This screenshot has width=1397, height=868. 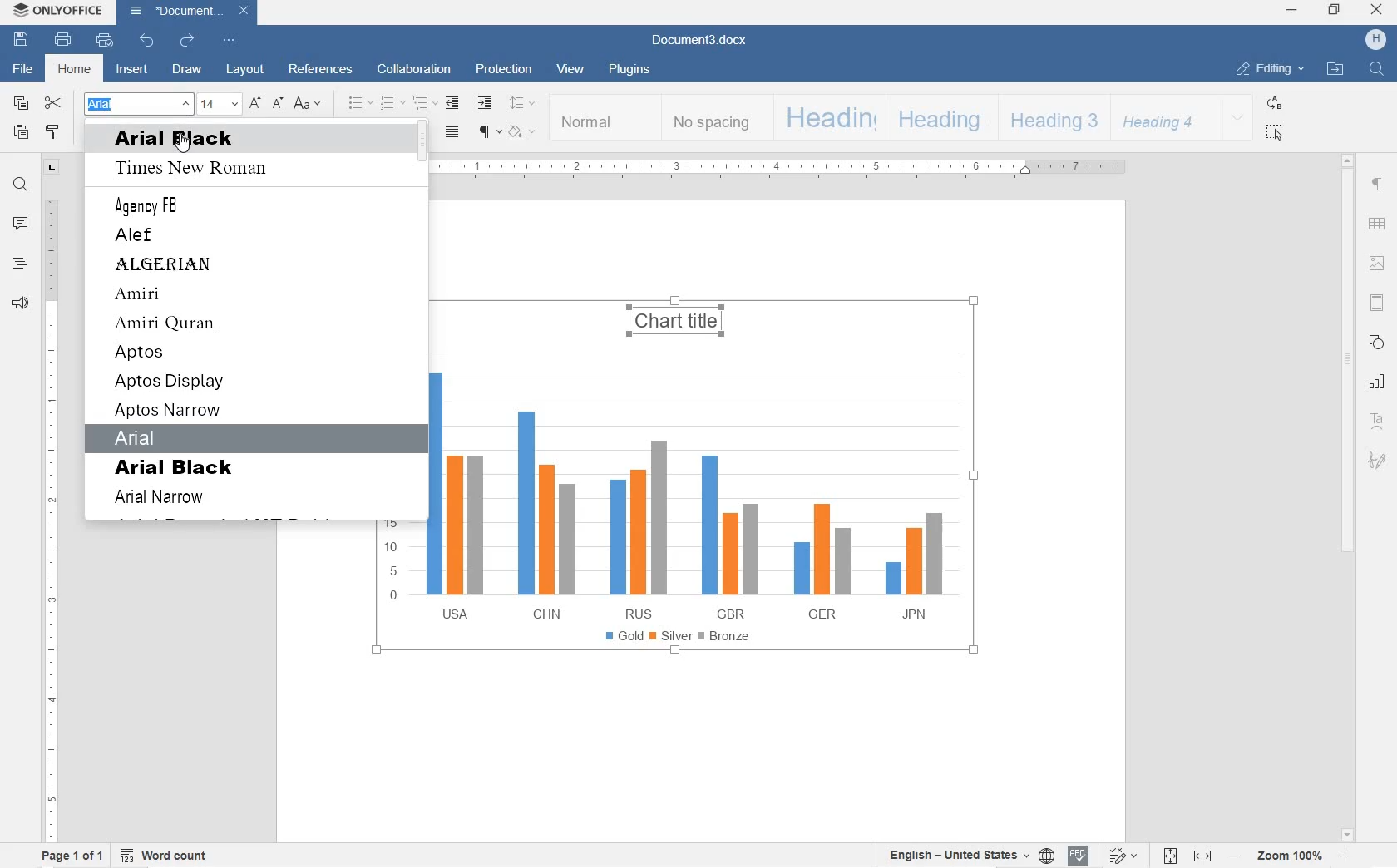 What do you see at coordinates (143, 353) in the screenshot?
I see `APTOS` at bounding box center [143, 353].